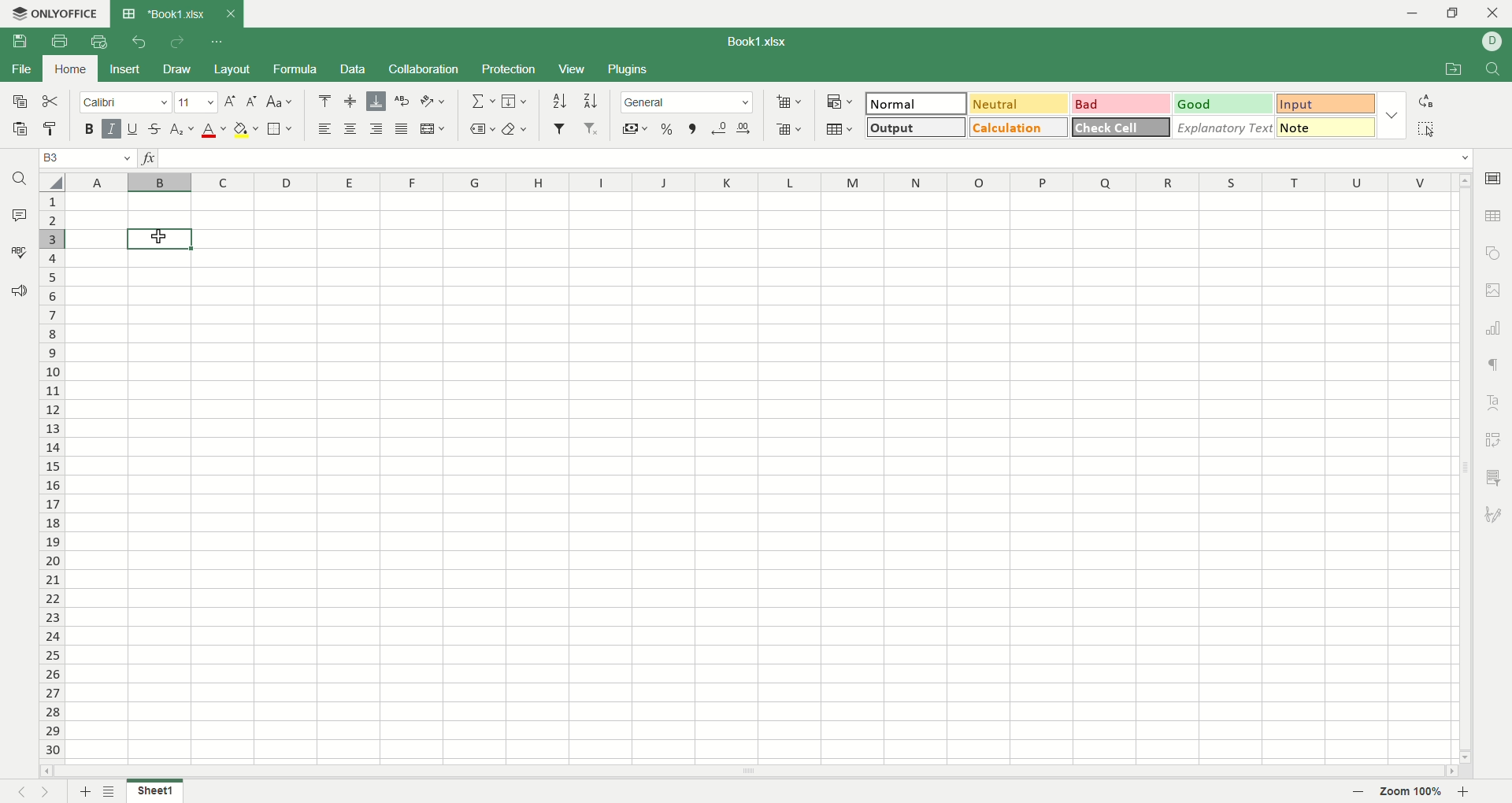 This screenshot has width=1512, height=803. What do you see at coordinates (375, 101) in the screenshot?
I see `align bottom` at bounding box center [375, 101].